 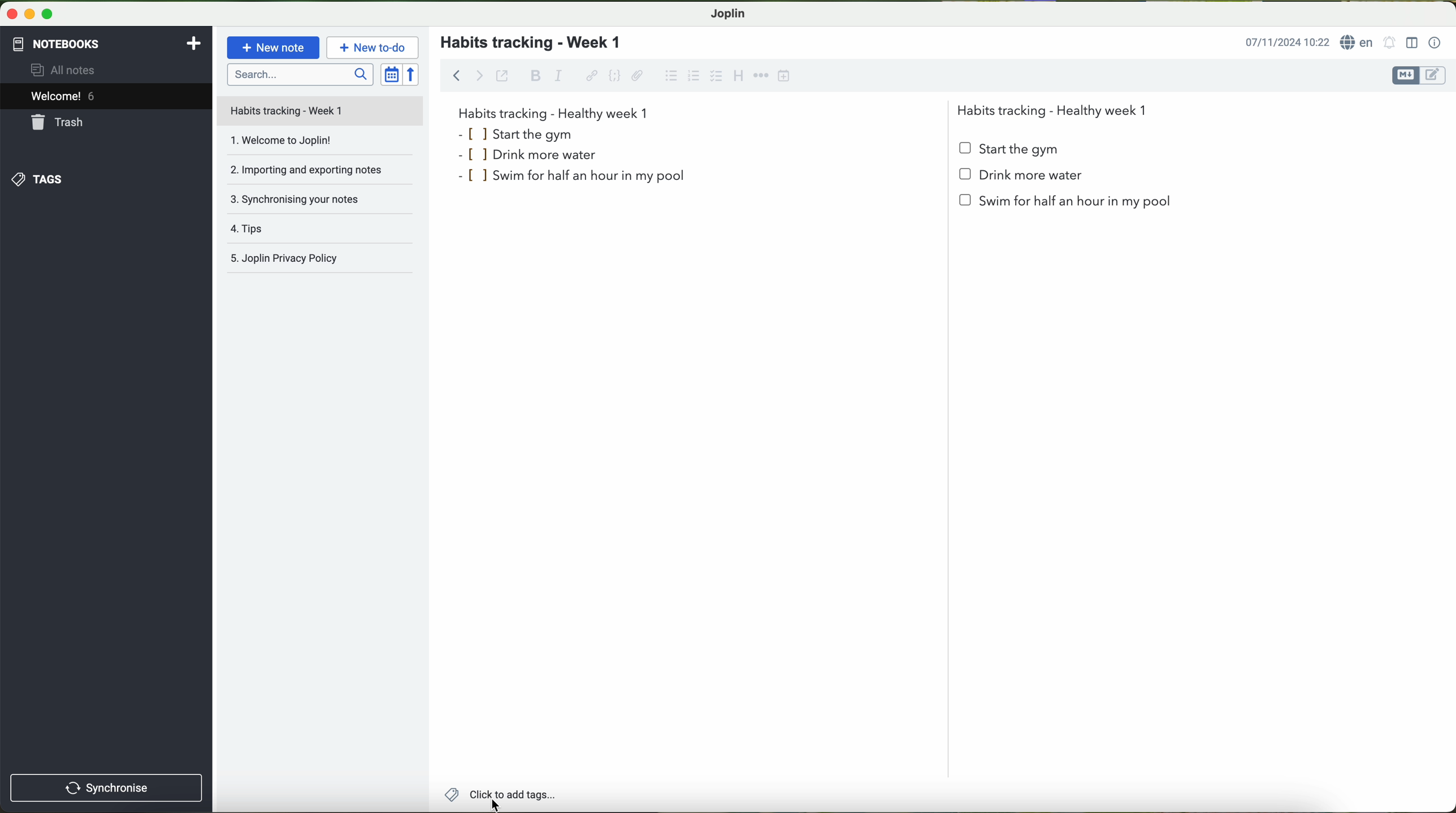 I want to click on habits tracking week 1, so click(x=553, y=112).